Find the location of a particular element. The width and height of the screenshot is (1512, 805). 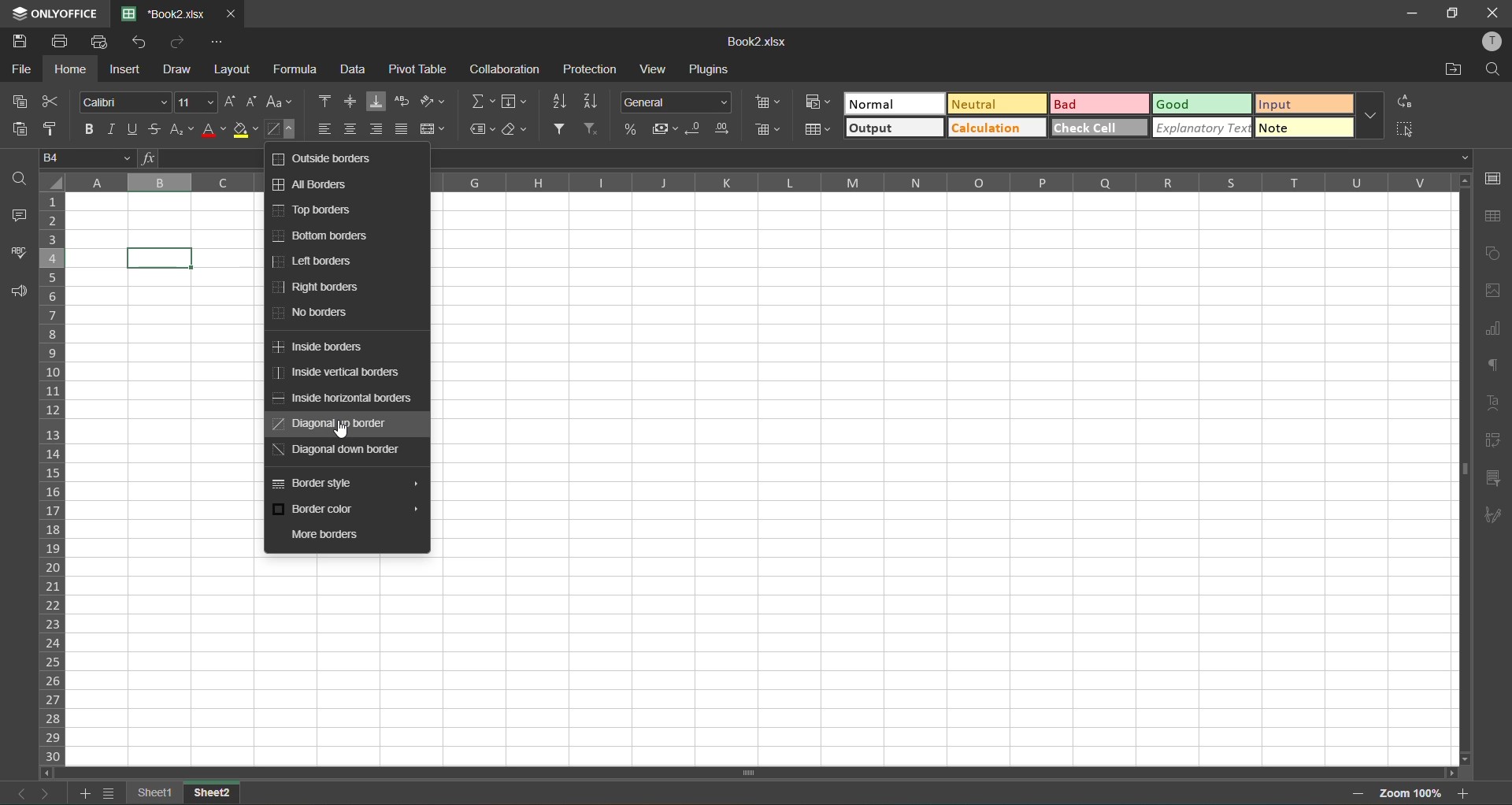

inside vertical borders is located at coordinates (336, 374).